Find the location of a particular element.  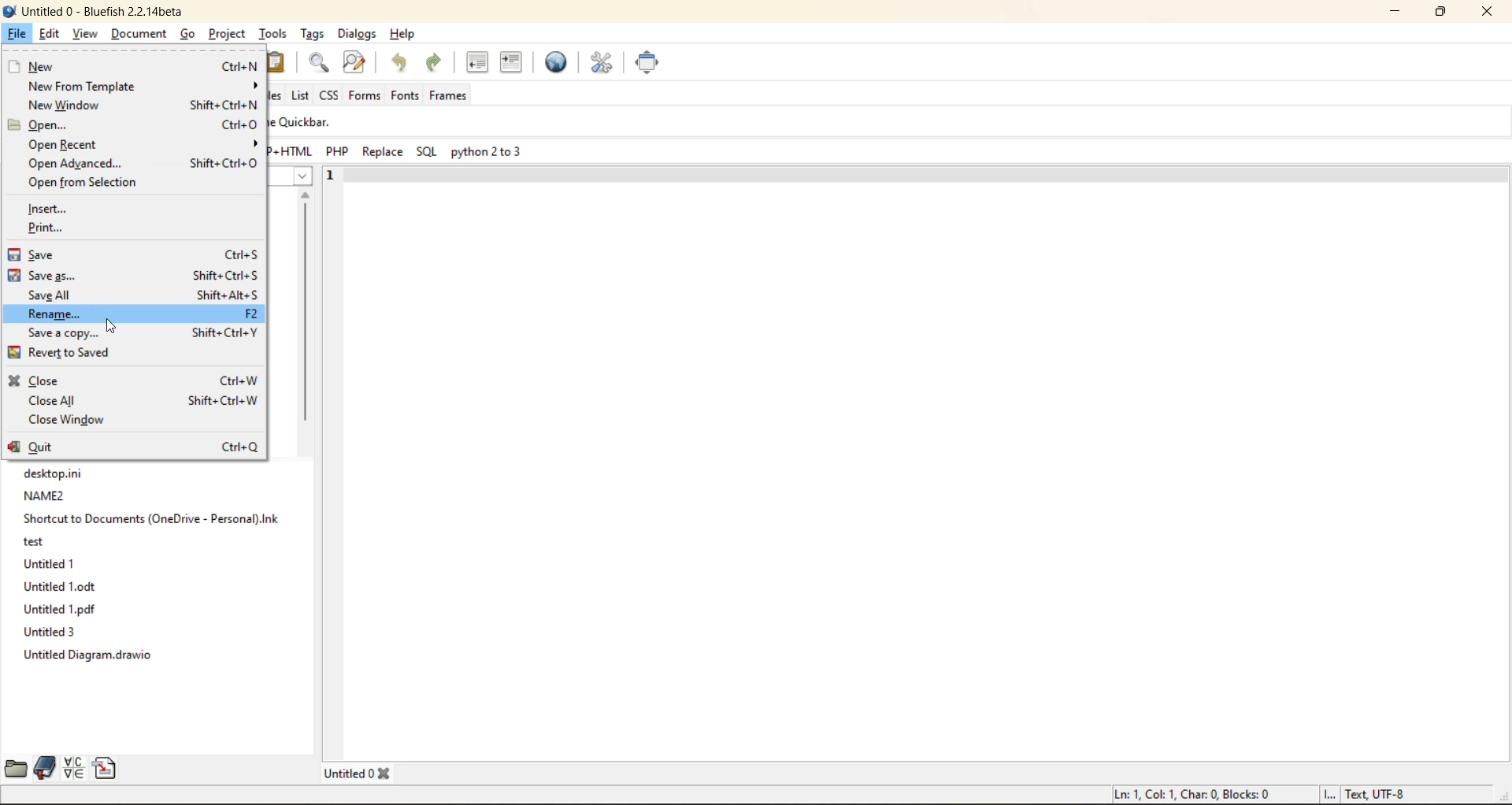

frames is located at coordinates (456, 98).